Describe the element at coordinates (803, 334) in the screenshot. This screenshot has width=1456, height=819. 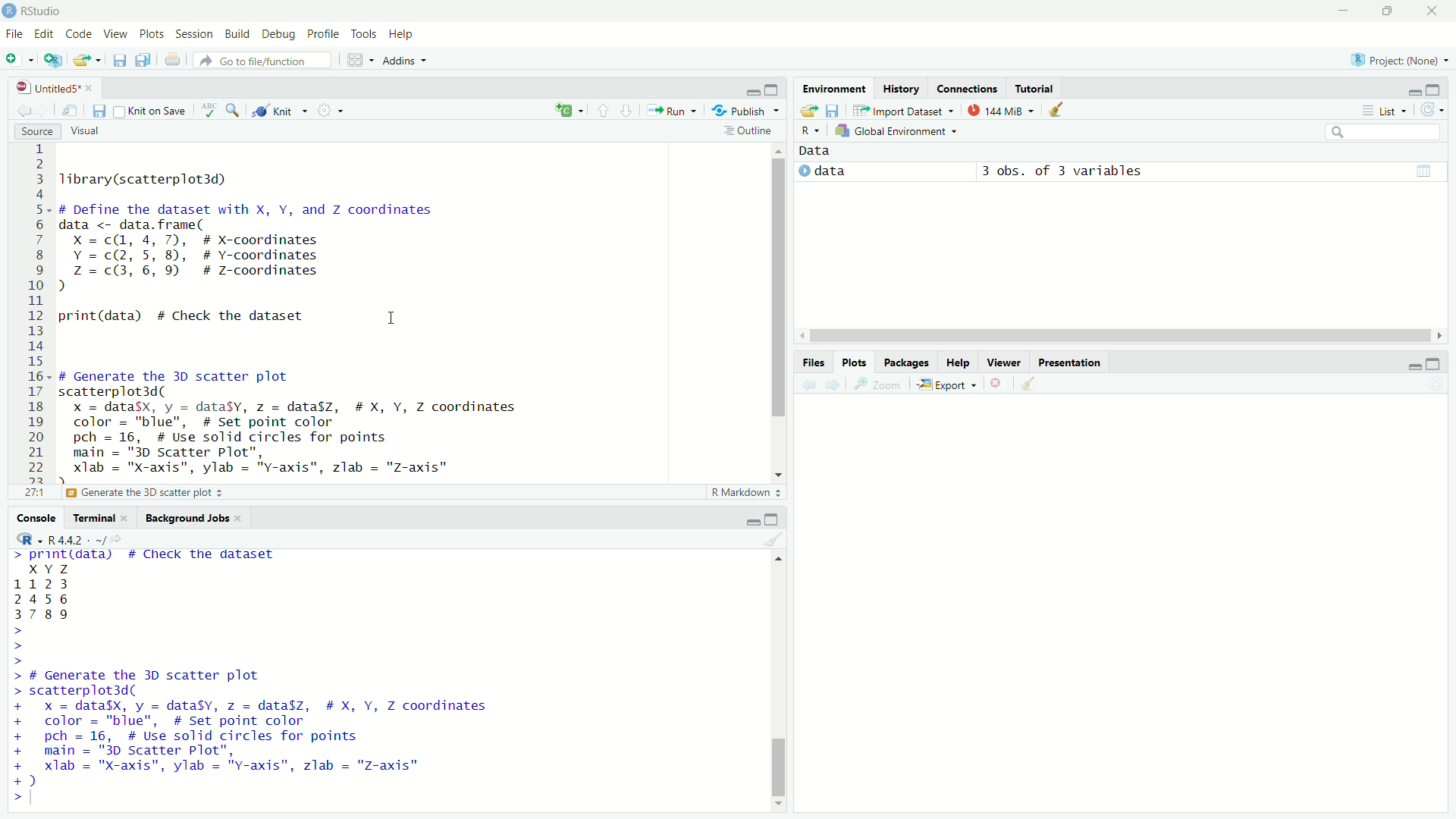
I see `move left` at that location.